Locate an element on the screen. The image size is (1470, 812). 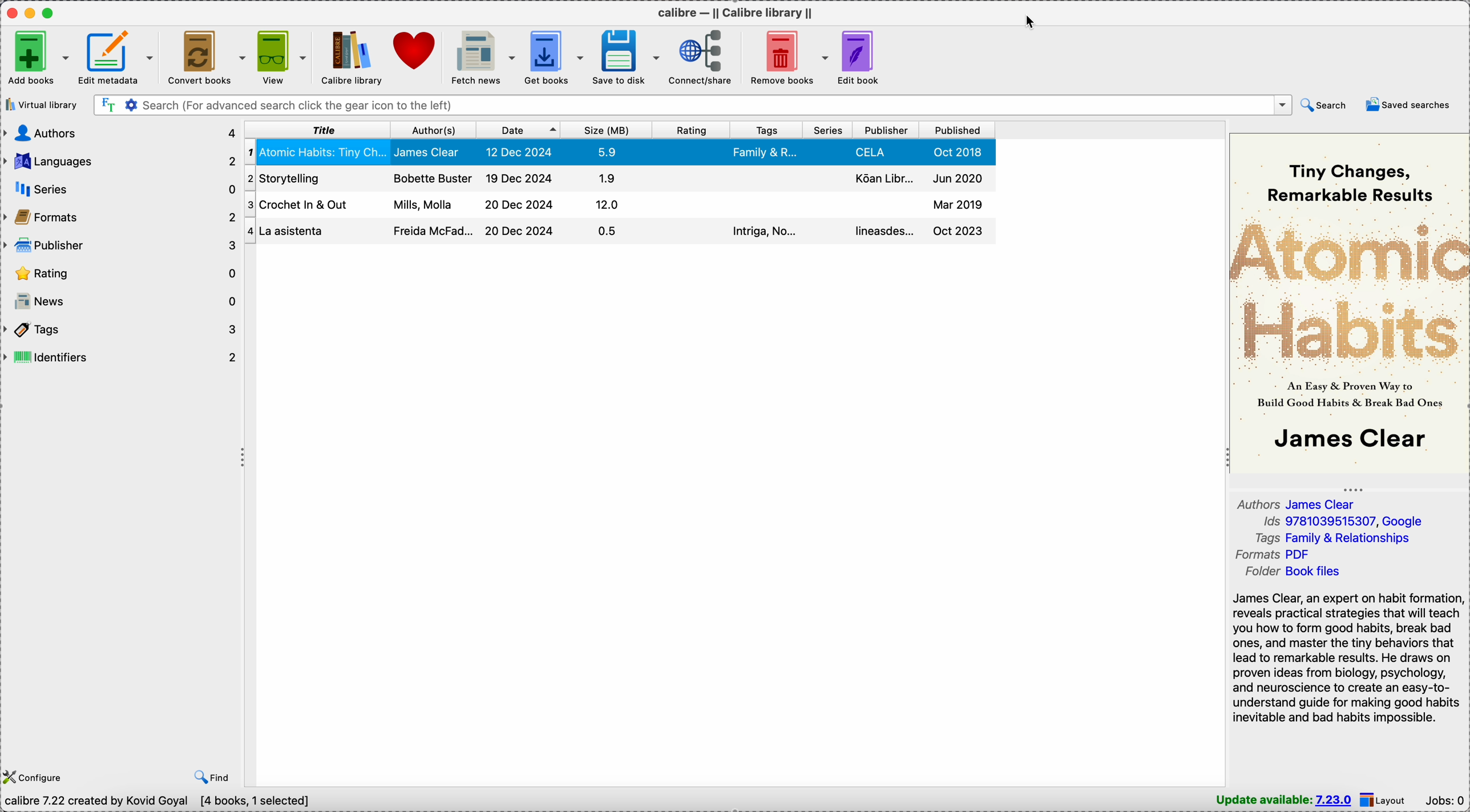
tags is located at coordinates (766, 130).